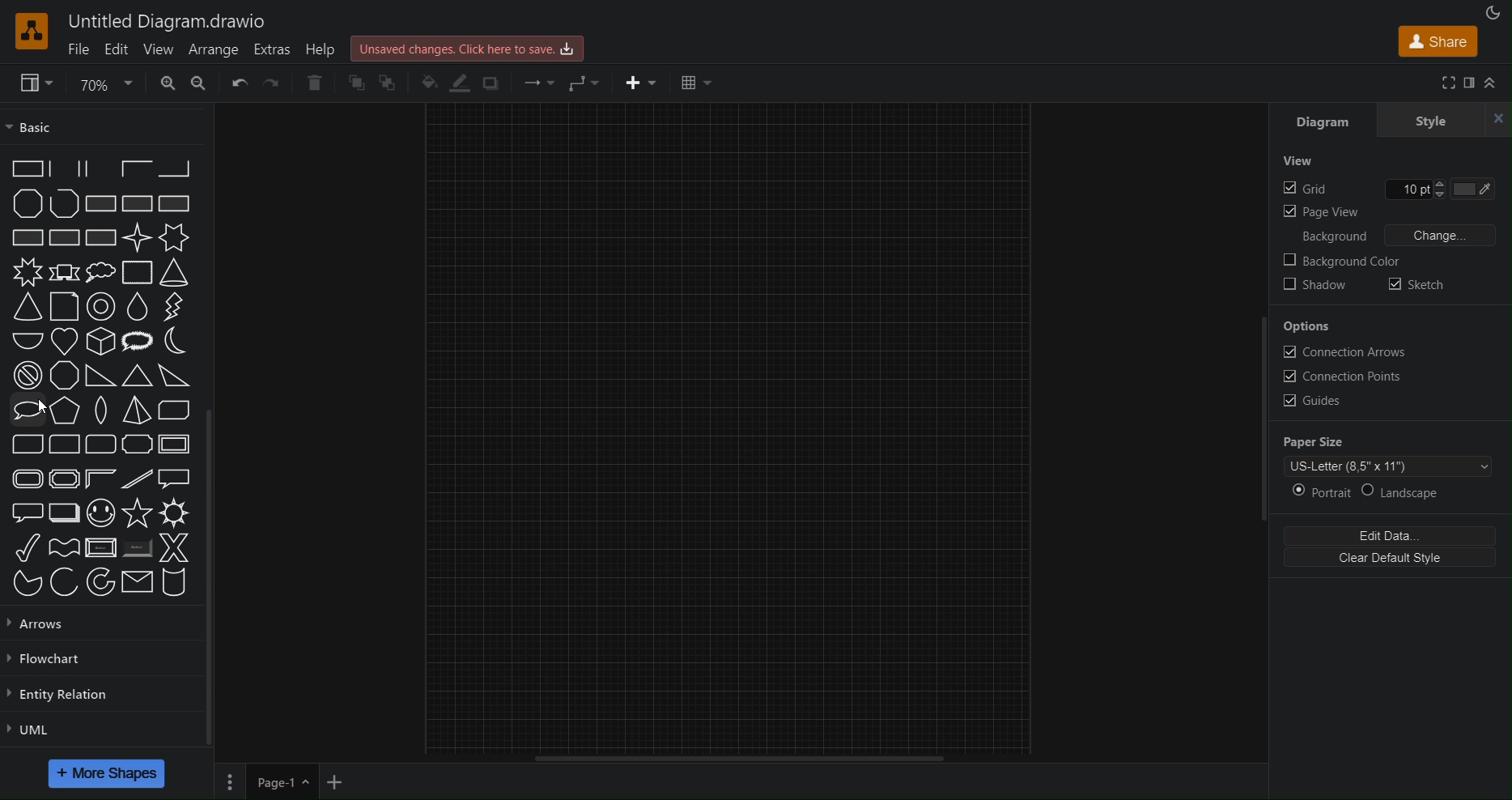  I want to click on Paper Size, so click(1312, 442).